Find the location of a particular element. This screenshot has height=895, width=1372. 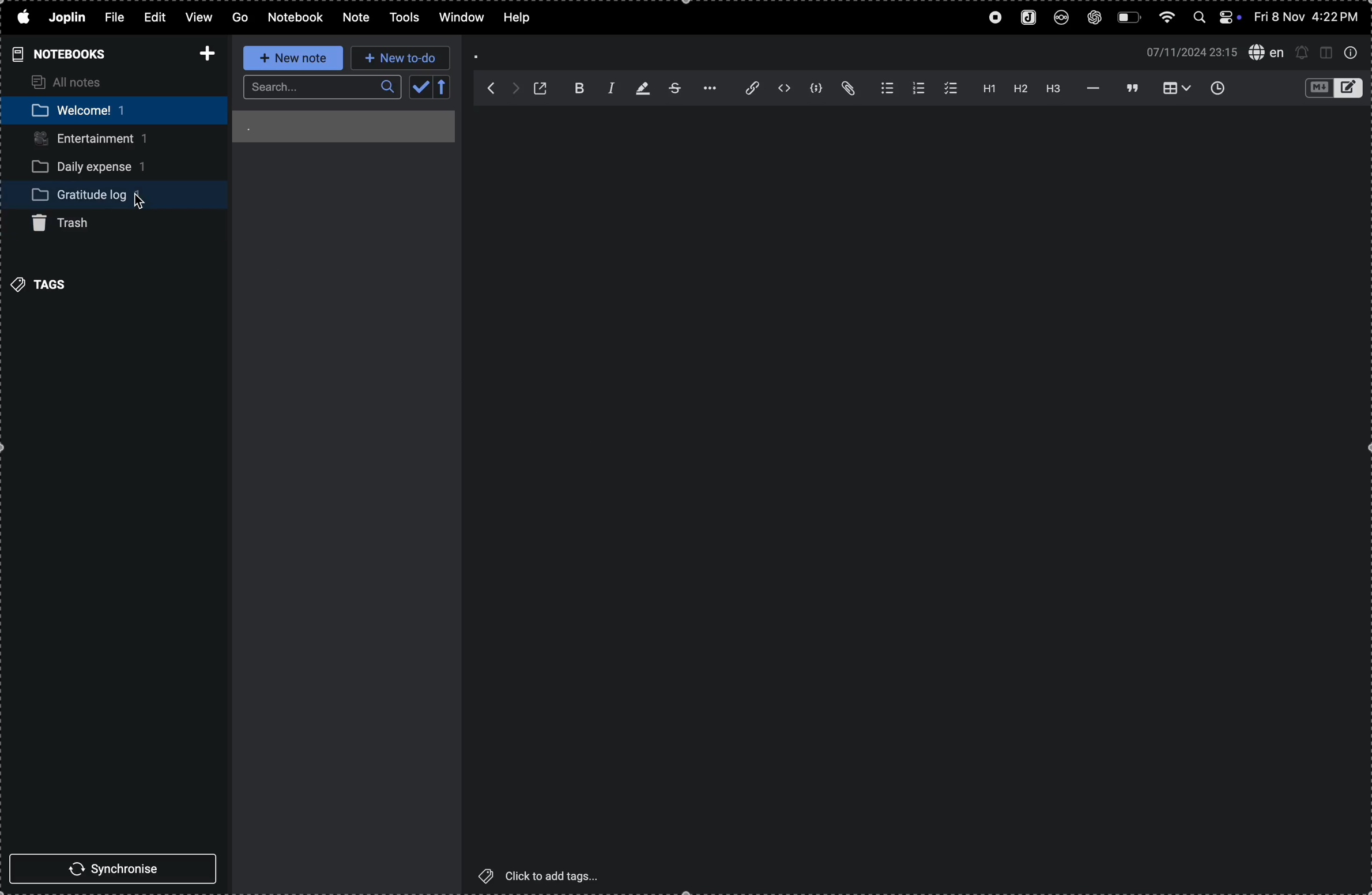

entertainment is located at coordinates (97, 140).